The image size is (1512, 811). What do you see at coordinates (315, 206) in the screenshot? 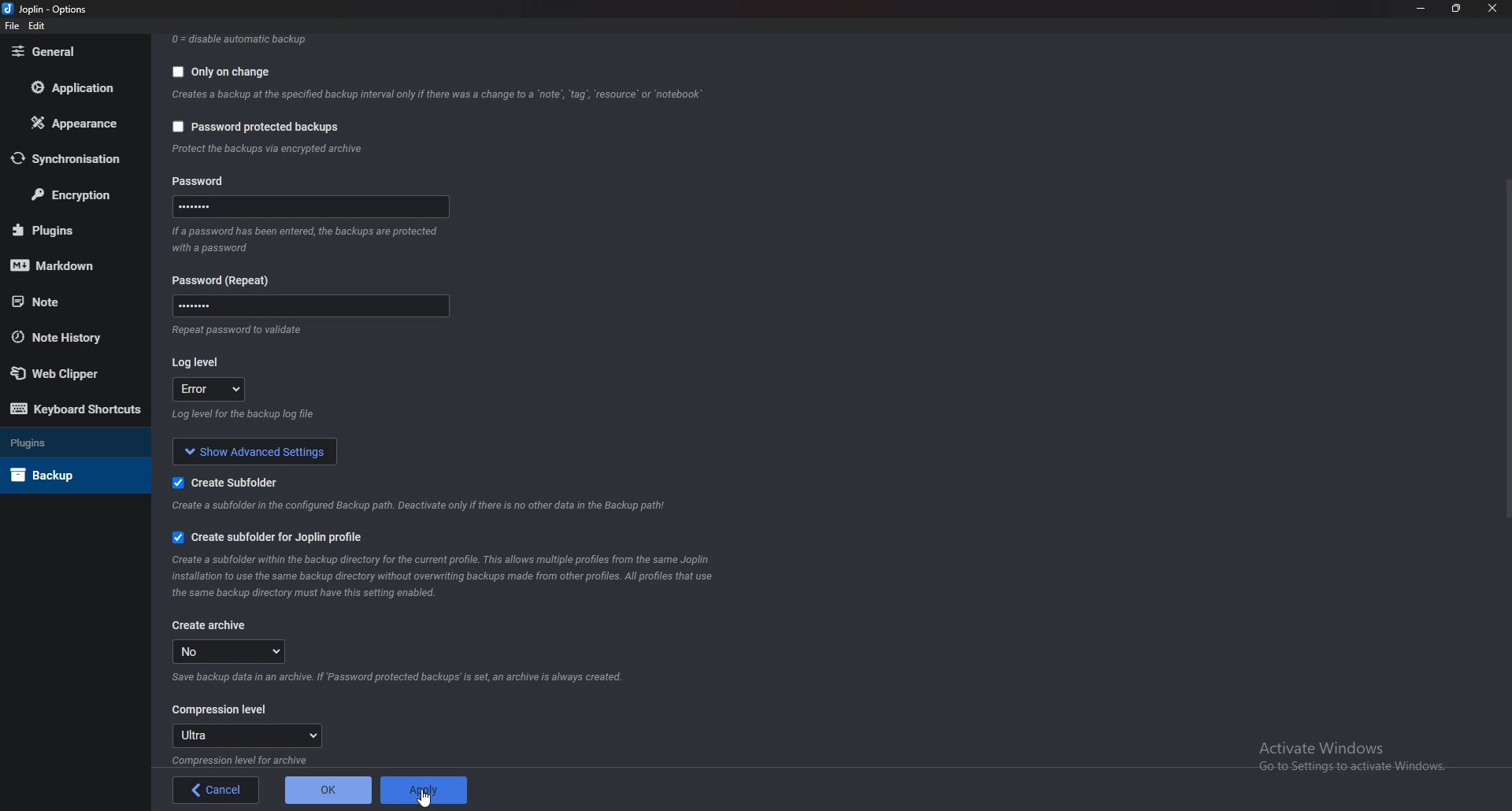
I see `Password` at bounding box center [315, 206].